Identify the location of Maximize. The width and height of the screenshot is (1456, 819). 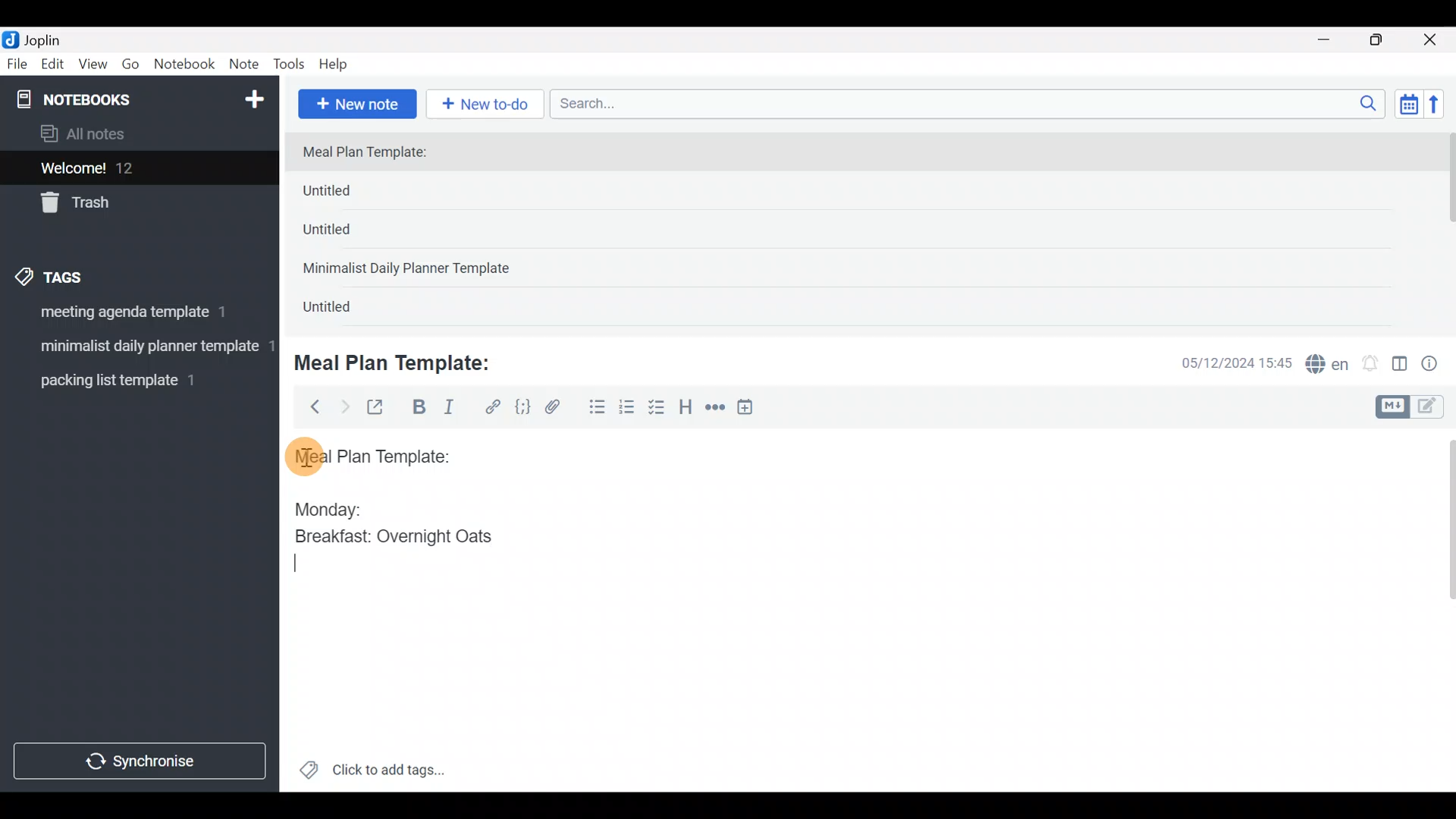
(1385, 40).